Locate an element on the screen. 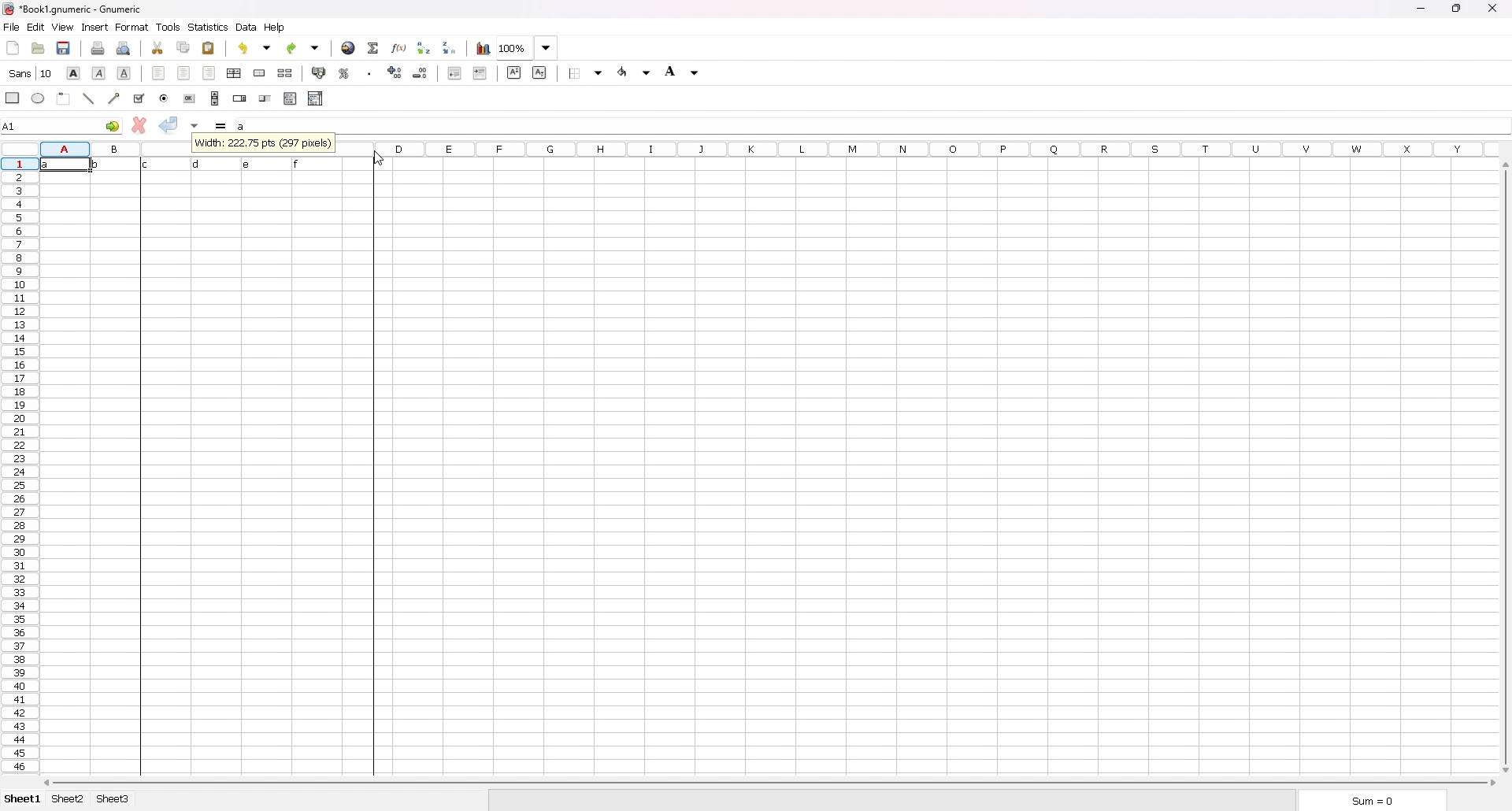 Image resolution: width=1512 pixels, height=811 pixels. zoom is located at coordinates (528, 48).